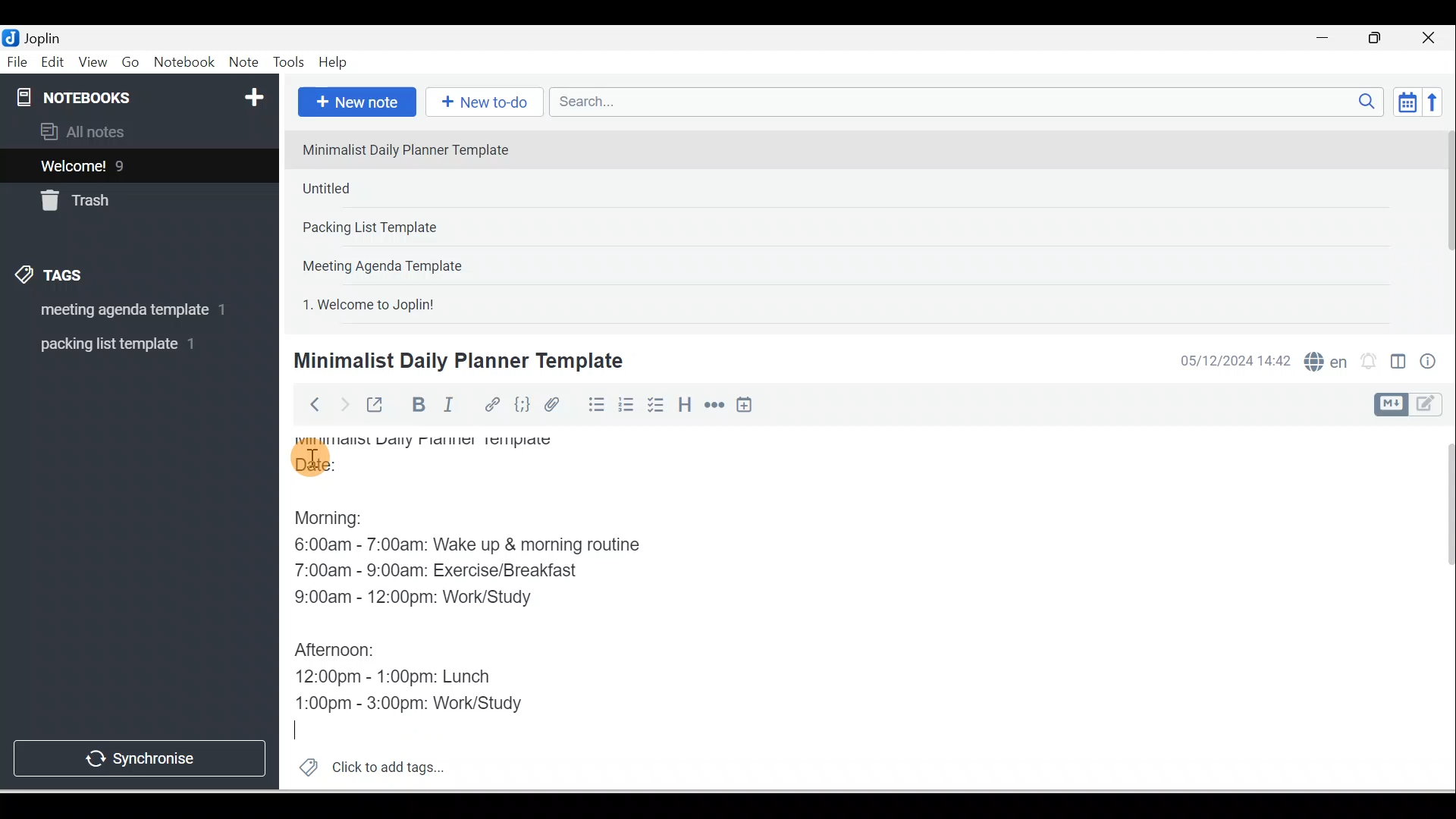 The width and height of the screenshot is (1456, 819). Describe the element at coordinates (593, 404) in the screenshot. I see `Bulleted list` at that location.